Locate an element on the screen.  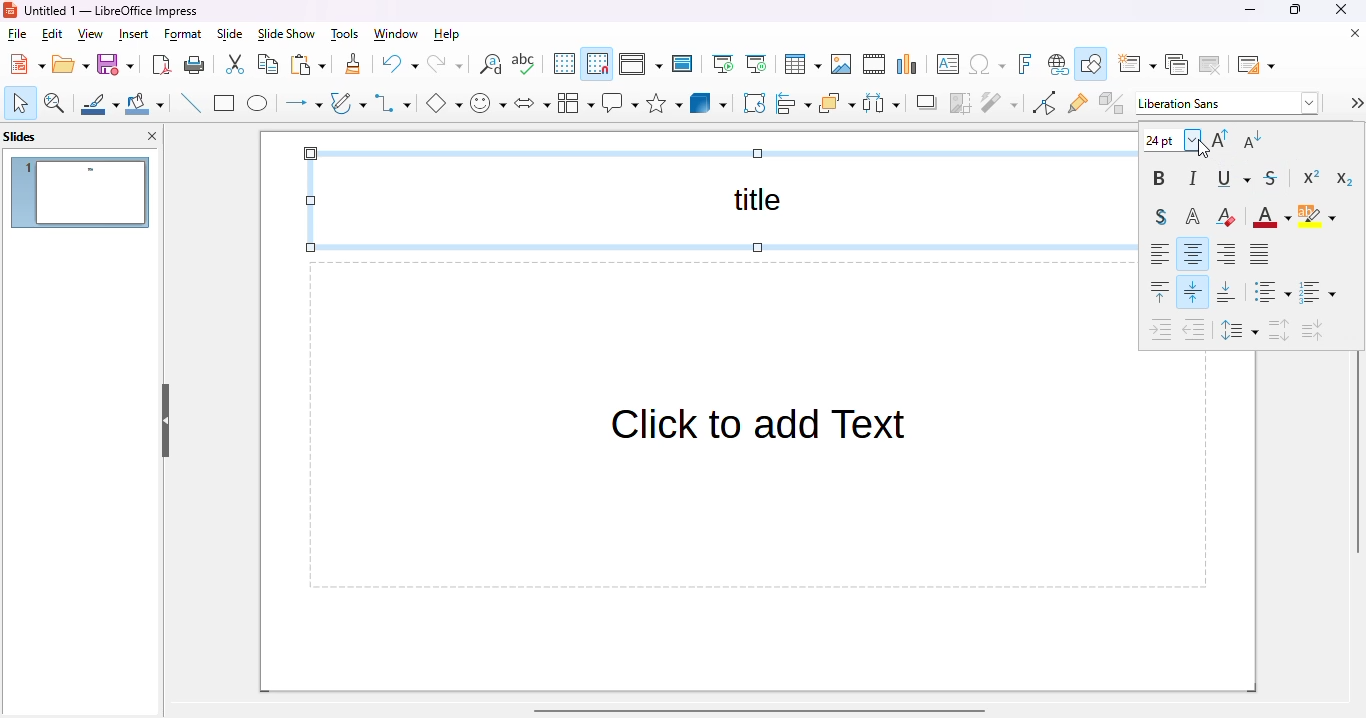
hide is located at coordinates (166, 420).